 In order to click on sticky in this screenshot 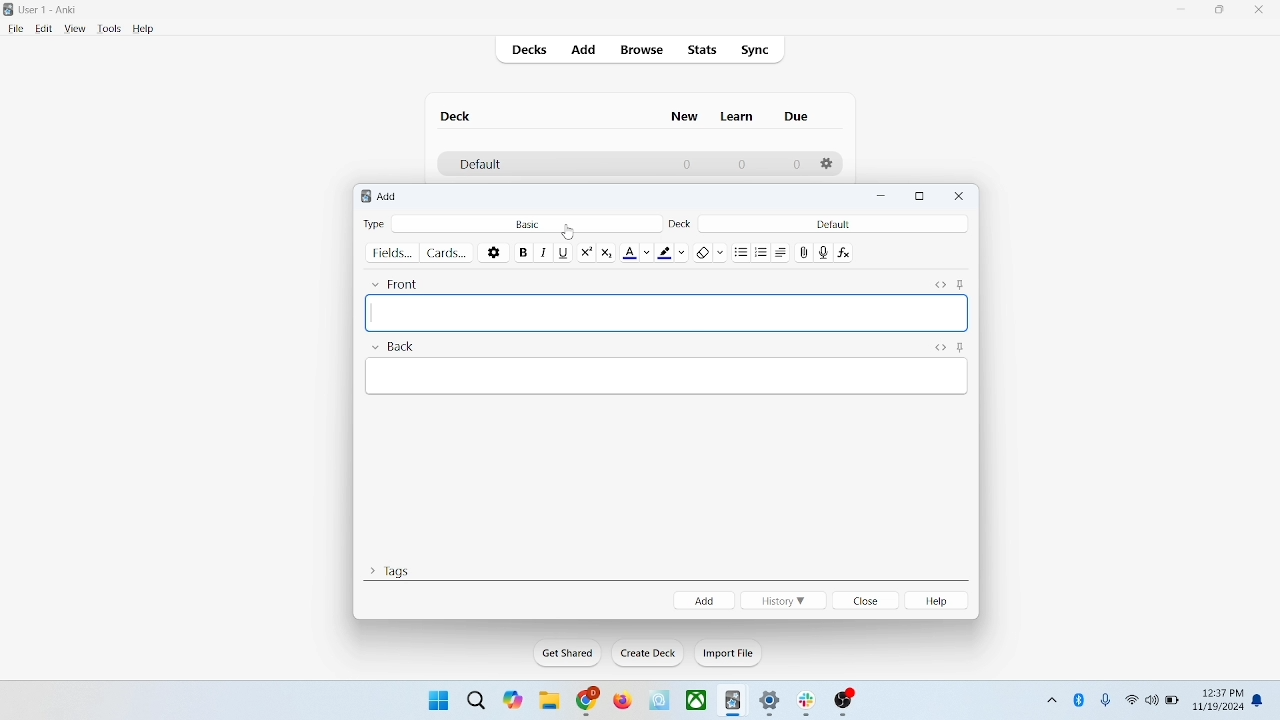, I will do `click(960, 284)`.